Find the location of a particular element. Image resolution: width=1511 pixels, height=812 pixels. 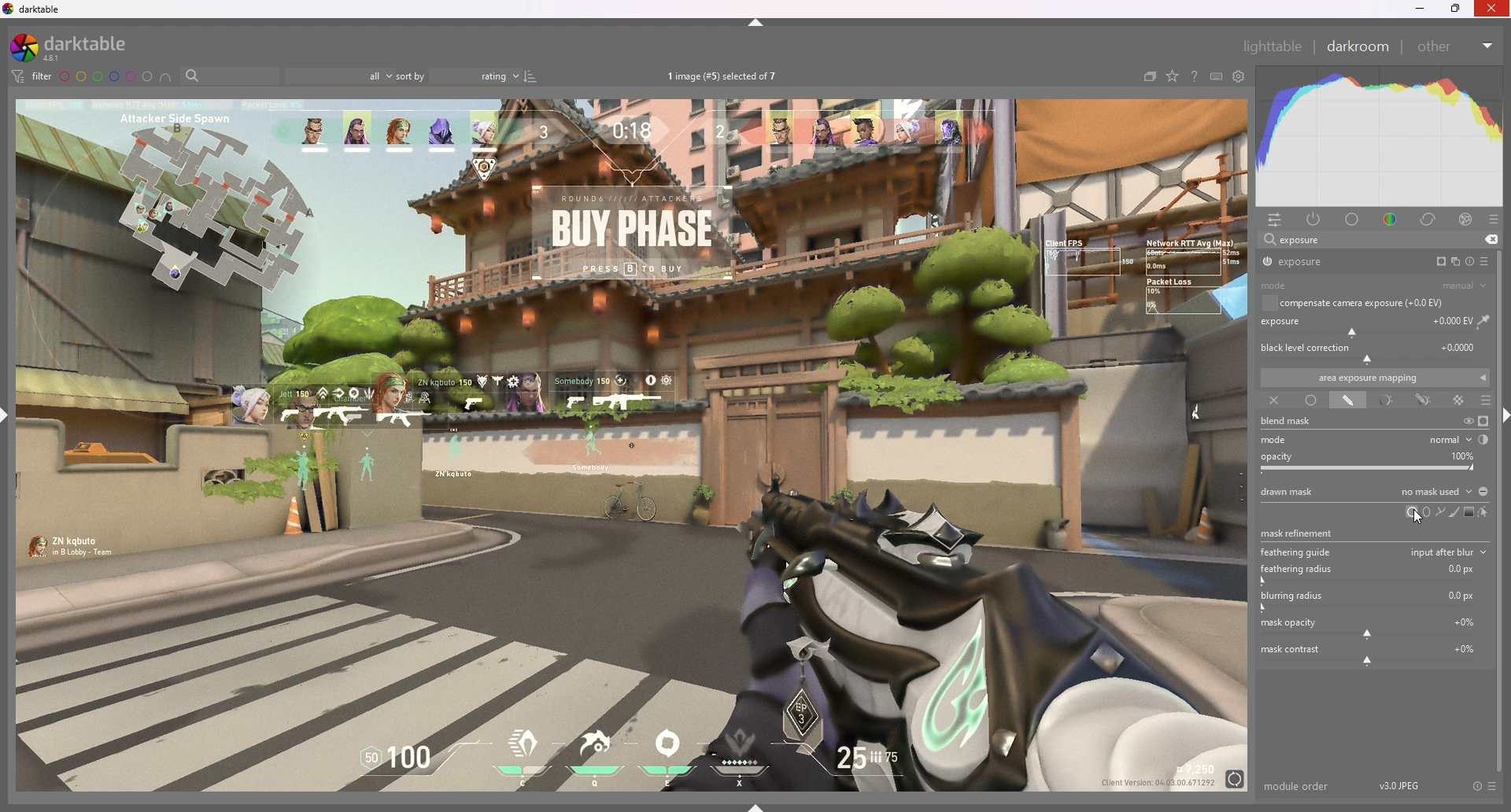

reverse sort is located at coordinates (531, 76).